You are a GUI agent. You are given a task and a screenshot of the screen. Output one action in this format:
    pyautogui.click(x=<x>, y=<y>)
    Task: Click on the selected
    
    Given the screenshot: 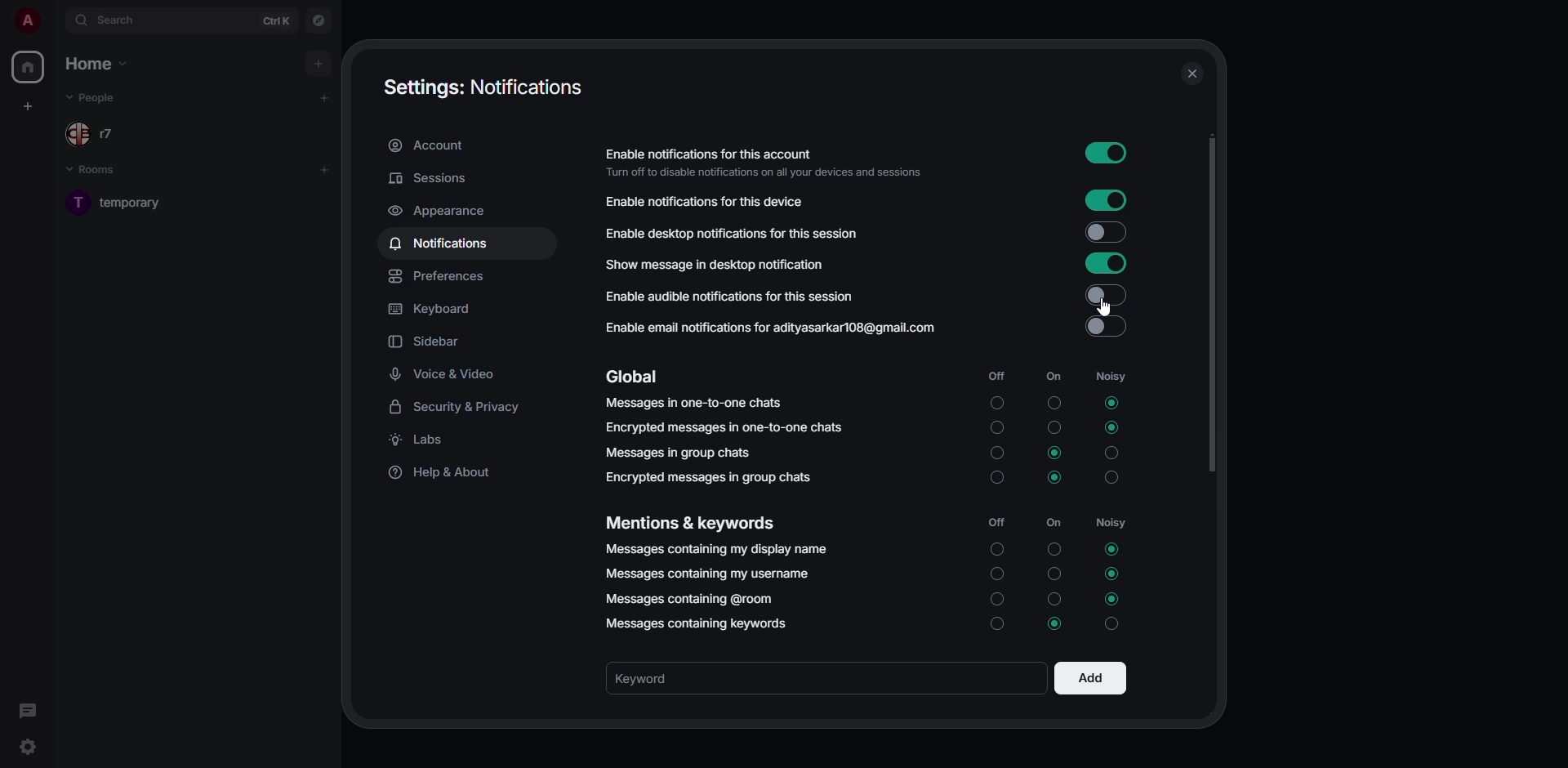 What is the action you would take?
    pyautogui.click(x=1052, y=623)
    